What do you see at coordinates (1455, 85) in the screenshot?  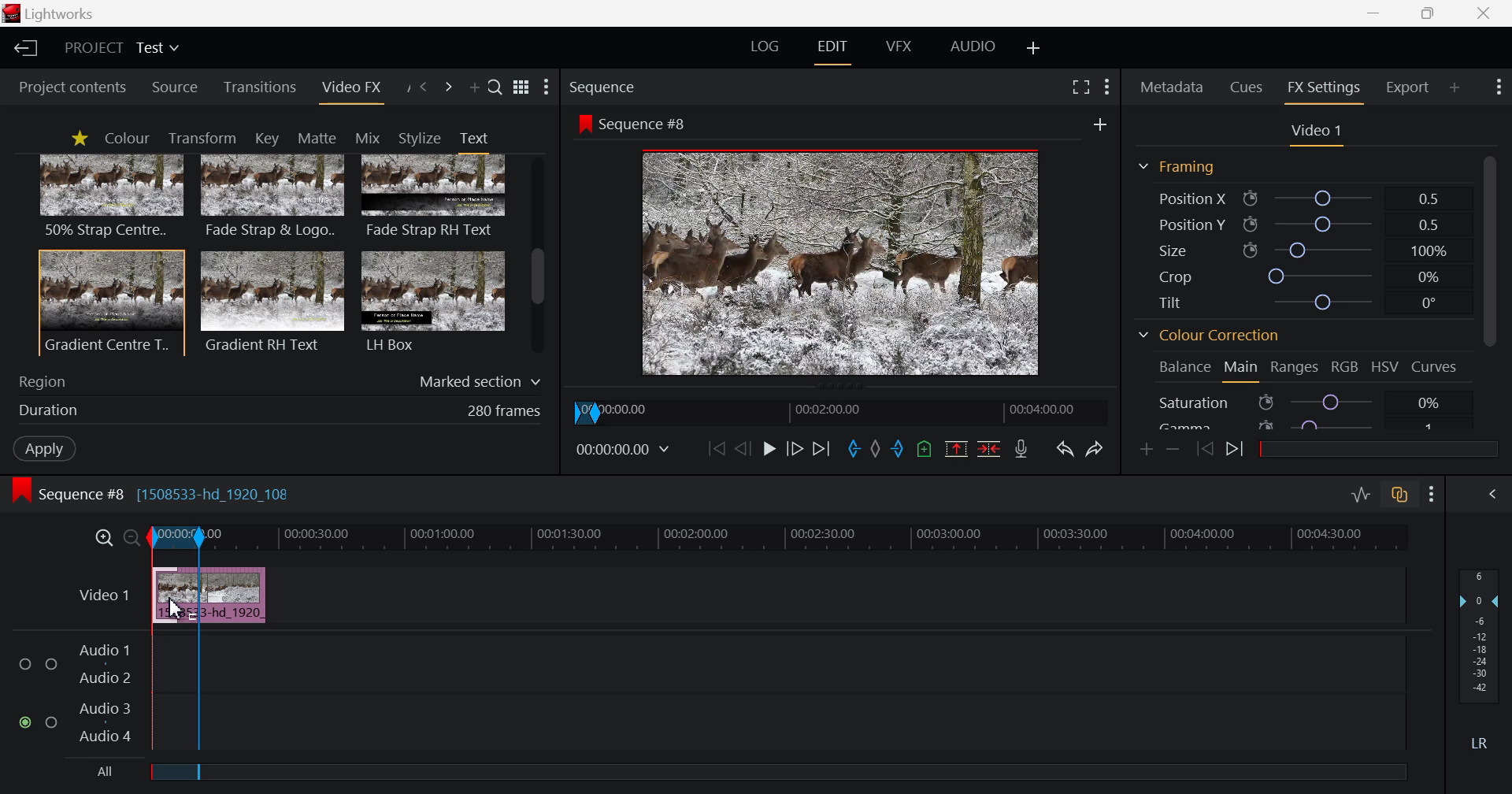 I see `Add Panel` at bounding box center [1455, 85].